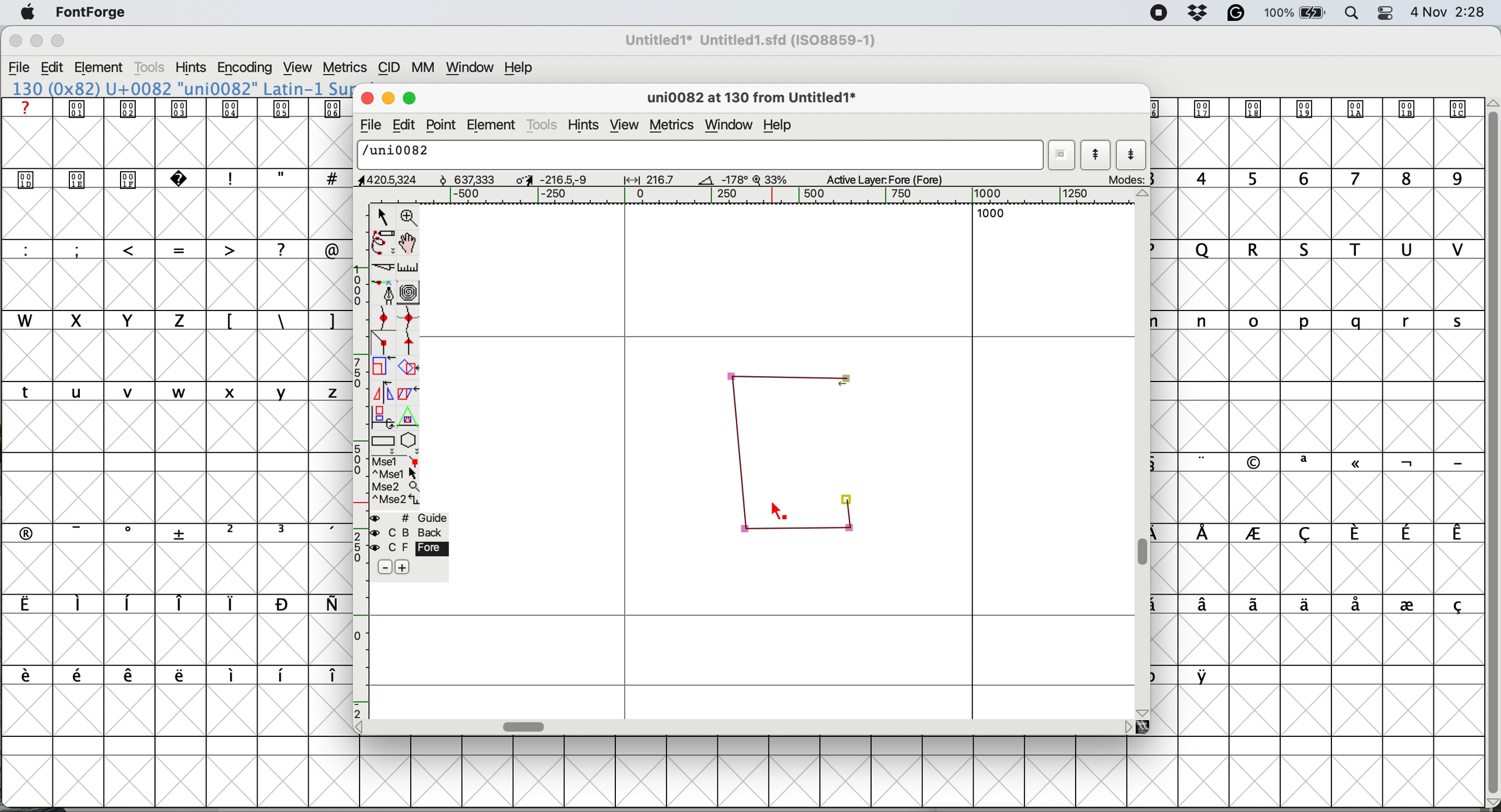  What do you see at coordinates (1331, 534) in the screenshot?
I see `symbols` at bounding box center [1331, 534].